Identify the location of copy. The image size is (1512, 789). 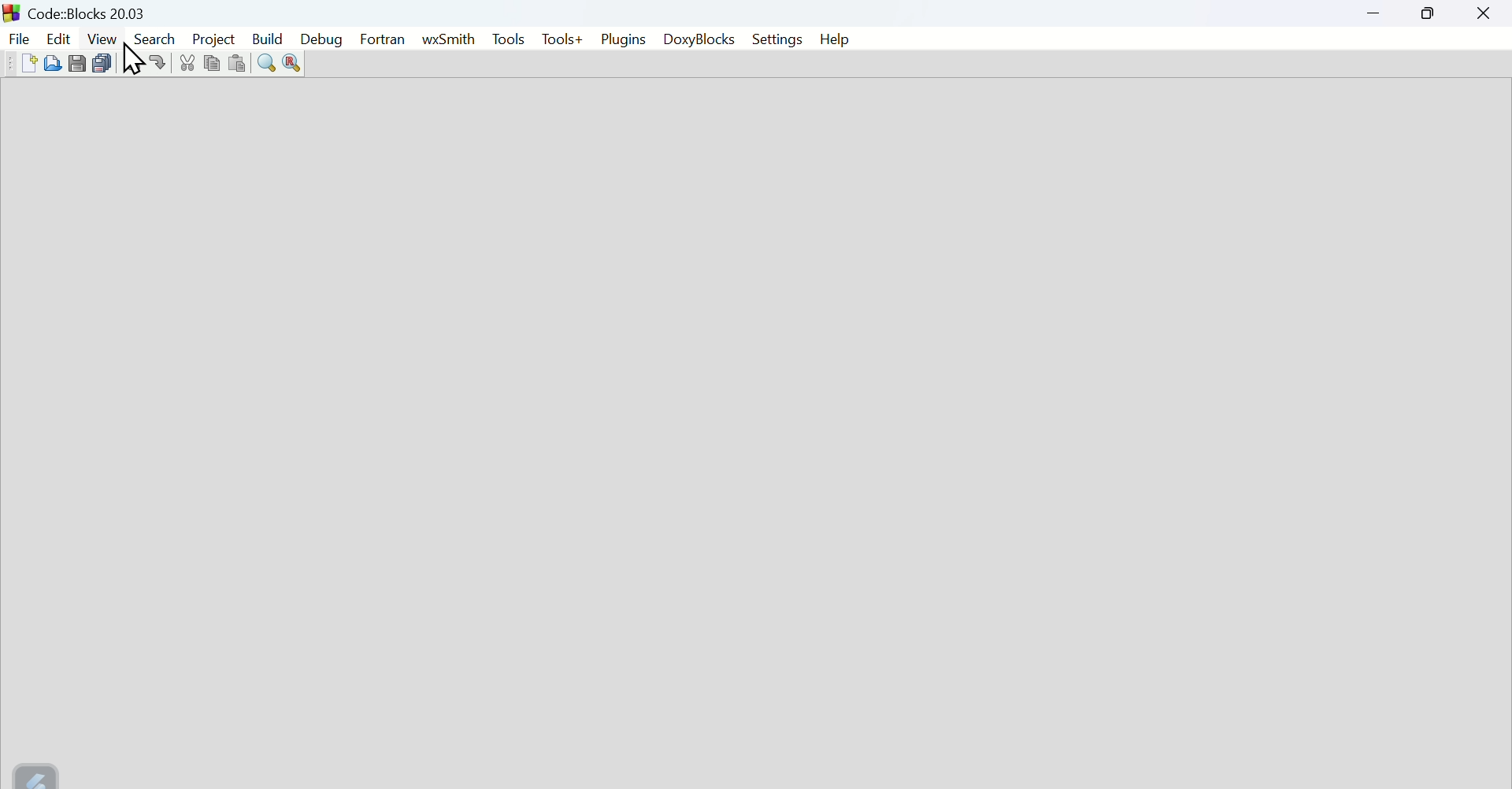
(212, 63).